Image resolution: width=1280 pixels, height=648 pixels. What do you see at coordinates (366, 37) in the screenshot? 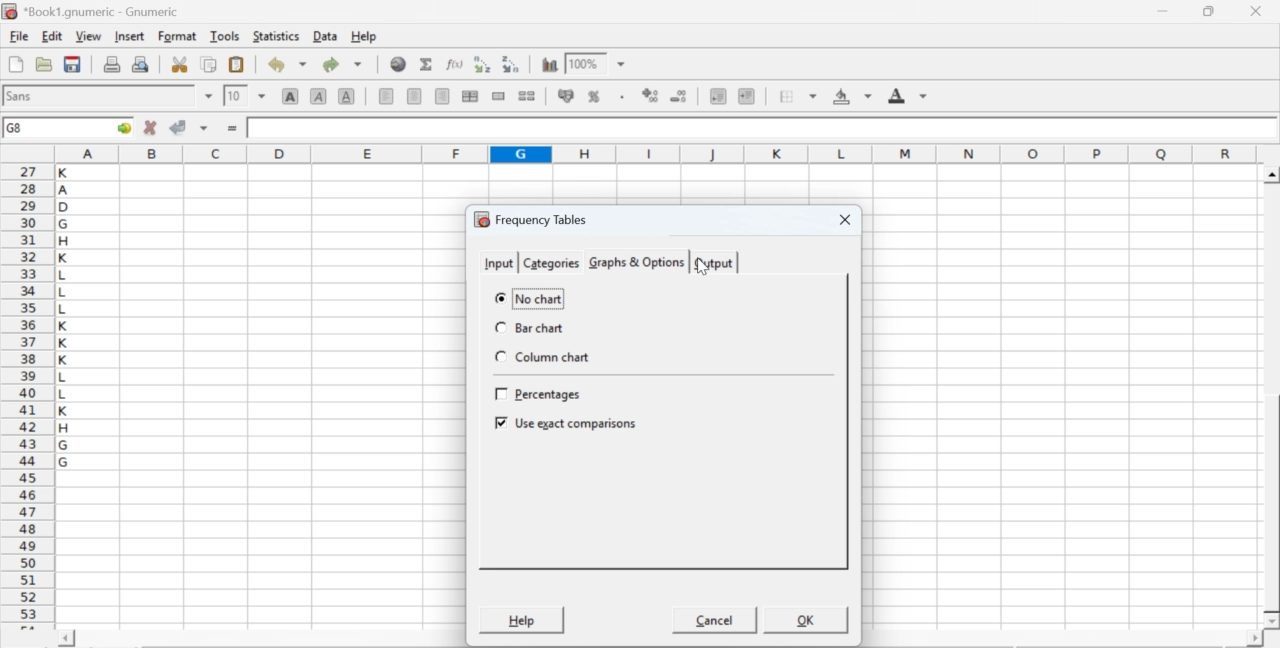
I see `help` at bounding box center [366, 37].